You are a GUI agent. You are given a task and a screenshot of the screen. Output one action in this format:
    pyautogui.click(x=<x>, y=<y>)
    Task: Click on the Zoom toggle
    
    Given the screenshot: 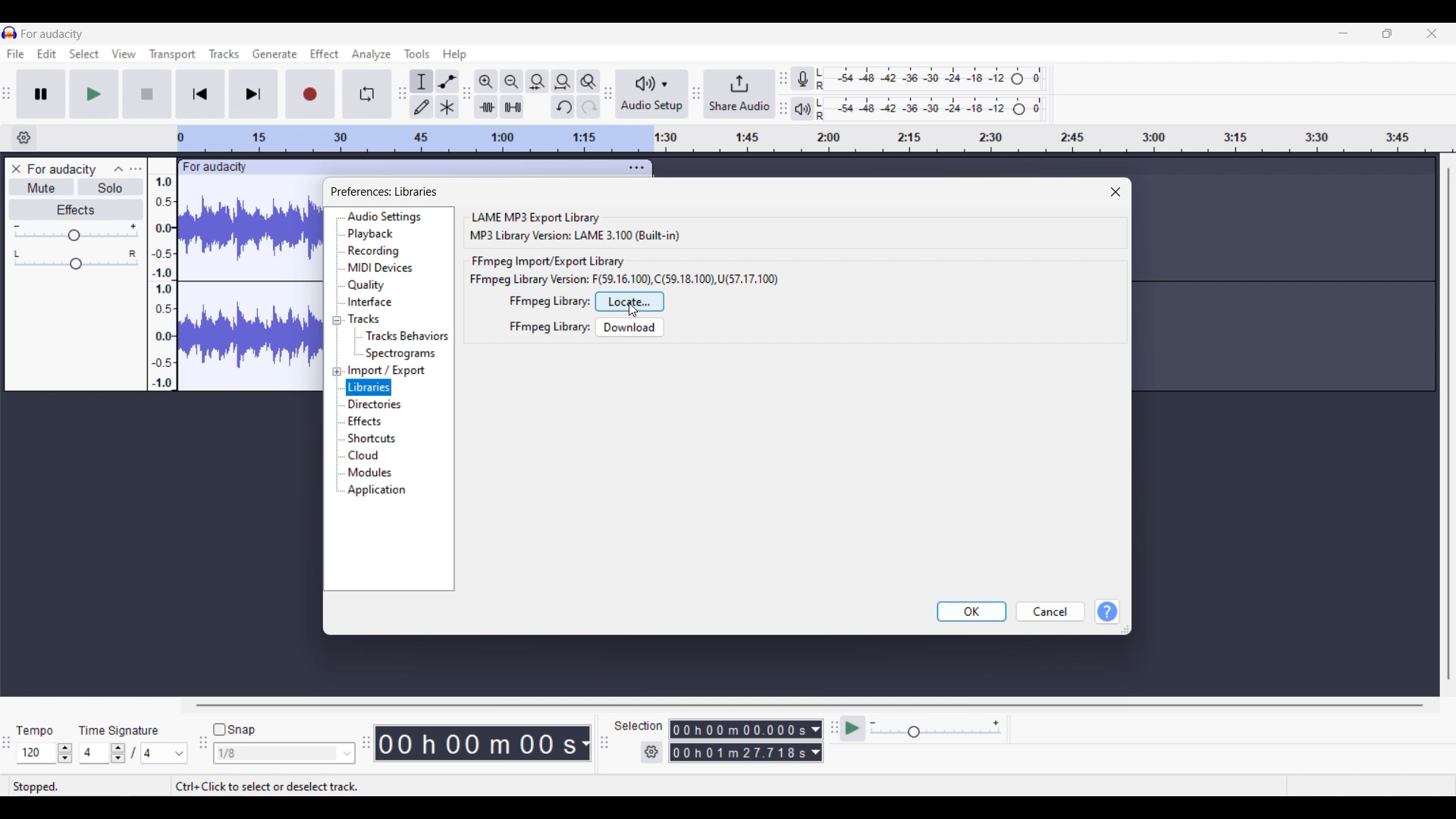 What is the action you would take?
    pyautogui.click(x=588, y=82)
    